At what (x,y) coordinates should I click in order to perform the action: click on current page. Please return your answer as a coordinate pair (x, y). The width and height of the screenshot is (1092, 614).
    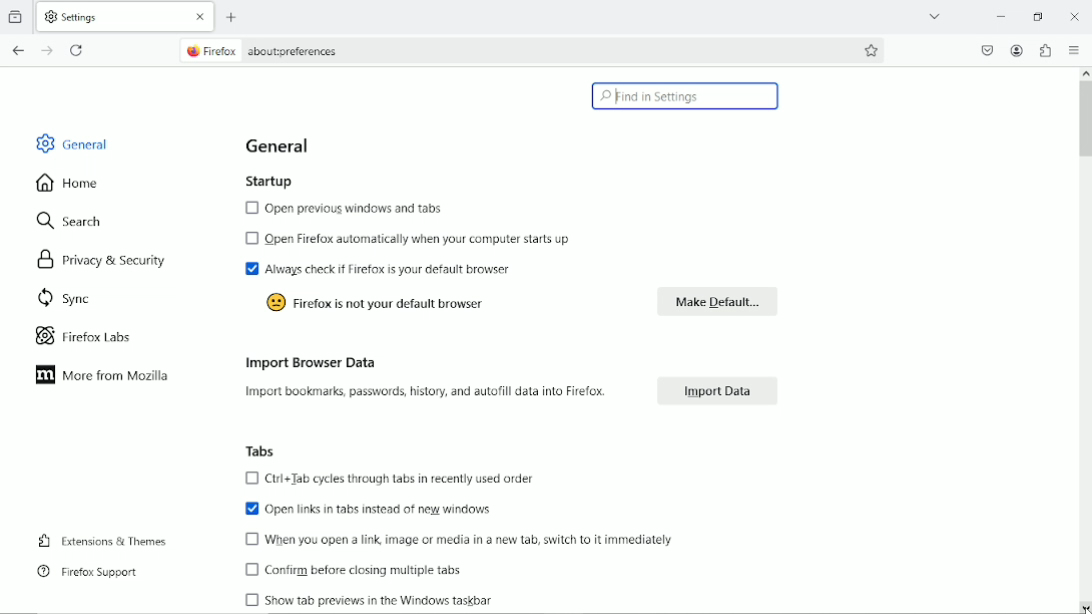
    Looking at the image, I should click on (274, 50).